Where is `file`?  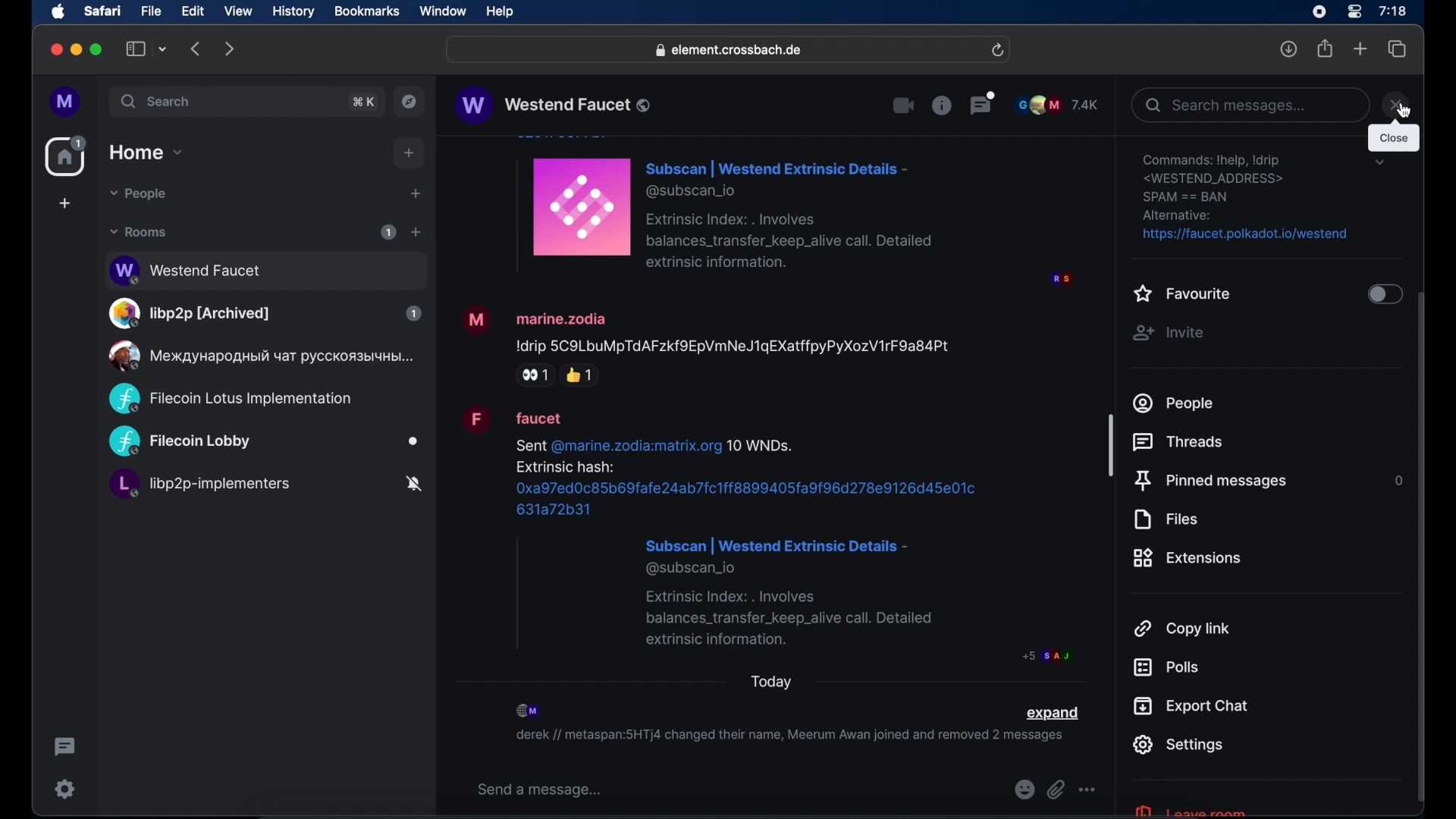 file is located at coordinates (151, 11).